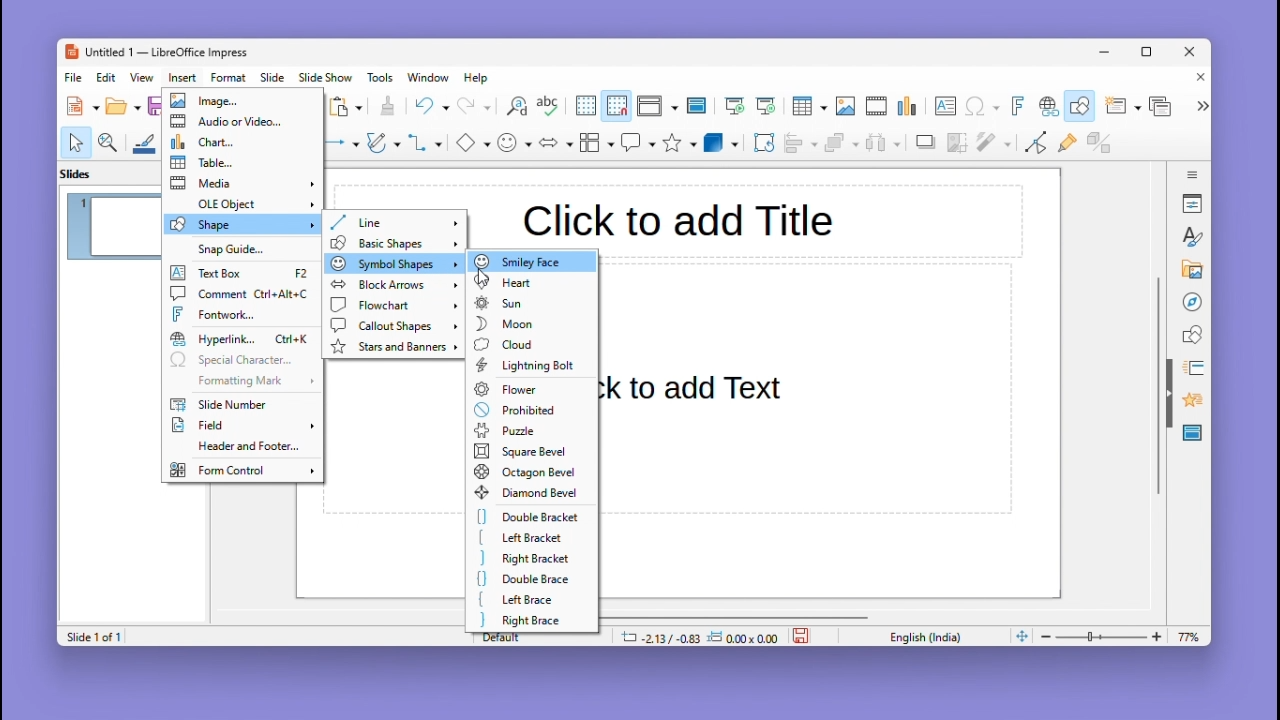 This screenshot has height=720, width=1280. What do you see at coordinates (1192, 300) in the screenshot?
I see `Navigator` at bounding box center [1192, 300].